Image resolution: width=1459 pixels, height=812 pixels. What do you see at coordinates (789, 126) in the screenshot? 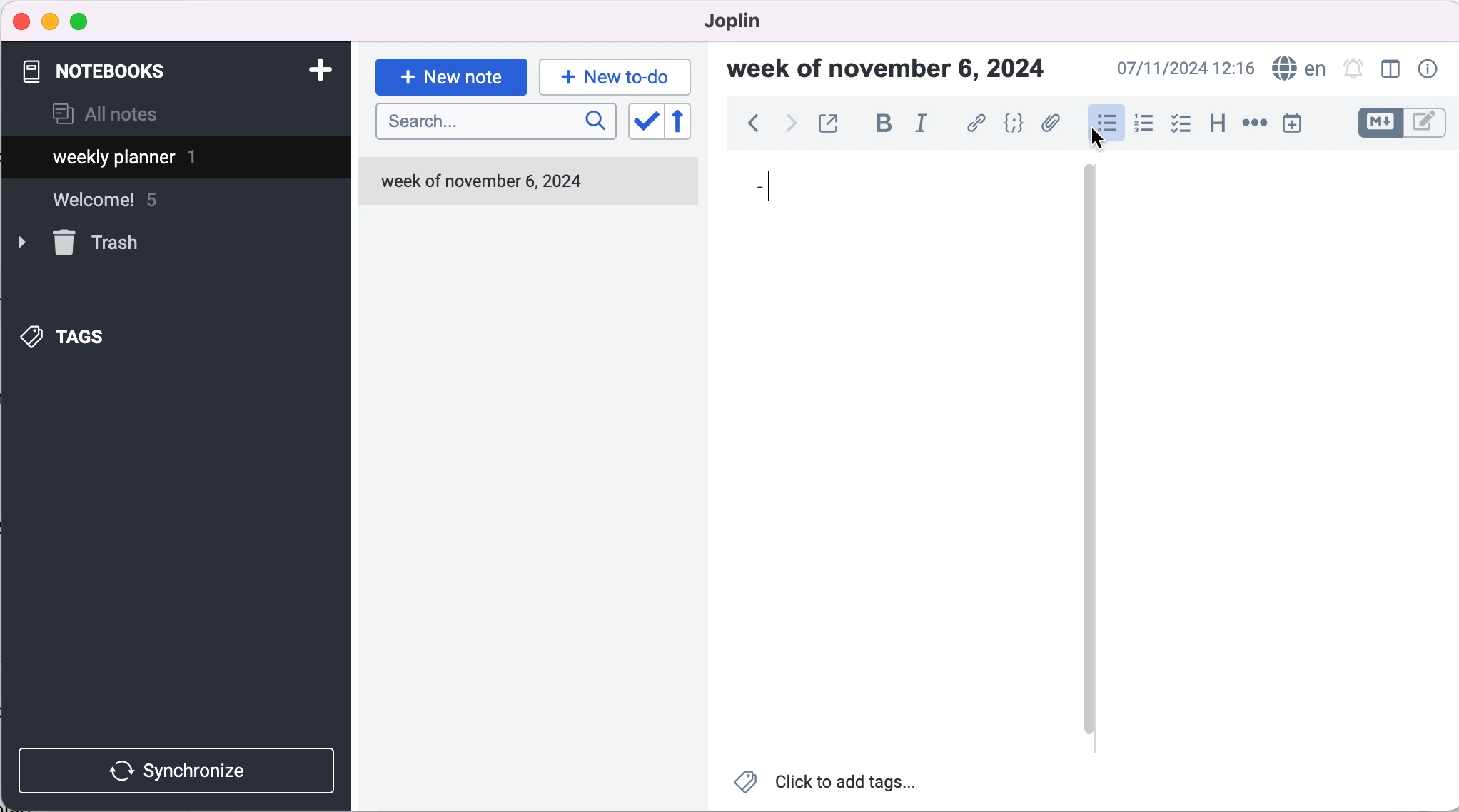
I see `forward` at bounding box center [789, 126].